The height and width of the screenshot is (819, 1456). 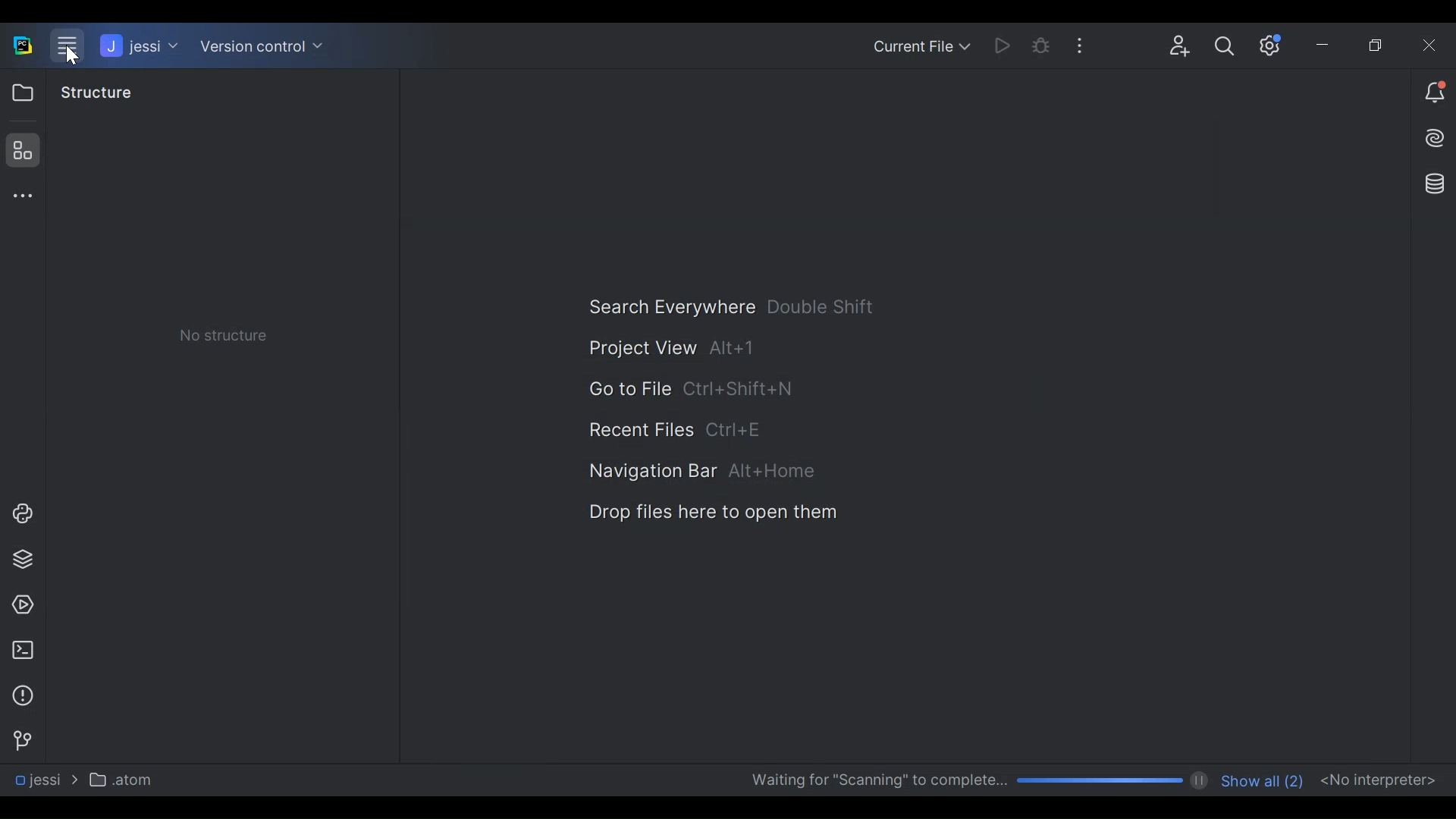 I want to click on AI Assistant, so click(x=1433, y=138).